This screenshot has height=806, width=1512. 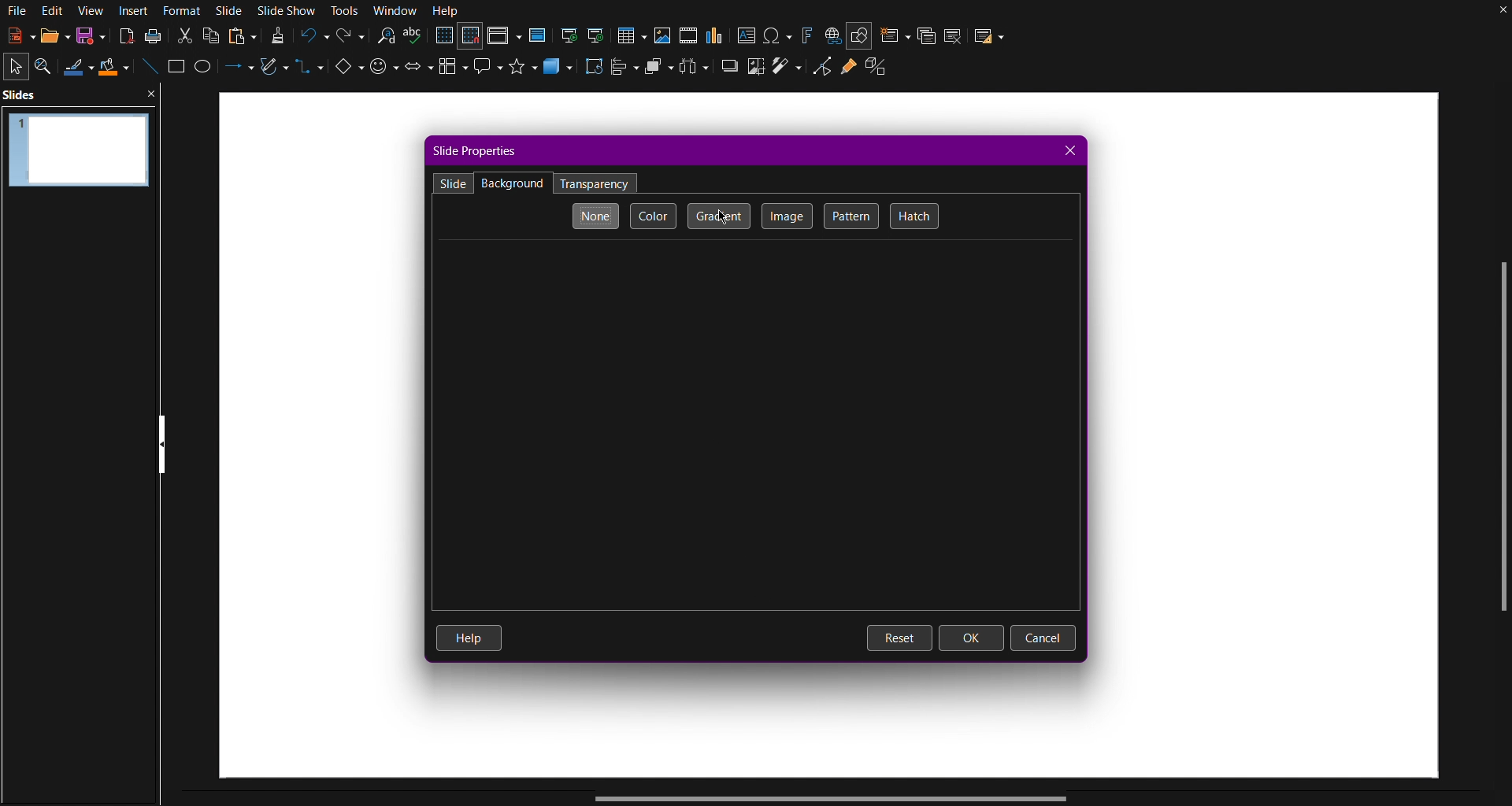 What do you see at coordinates (728, 72) in the screenshot?
I see `Shadow` at bounding box center [728, 72].